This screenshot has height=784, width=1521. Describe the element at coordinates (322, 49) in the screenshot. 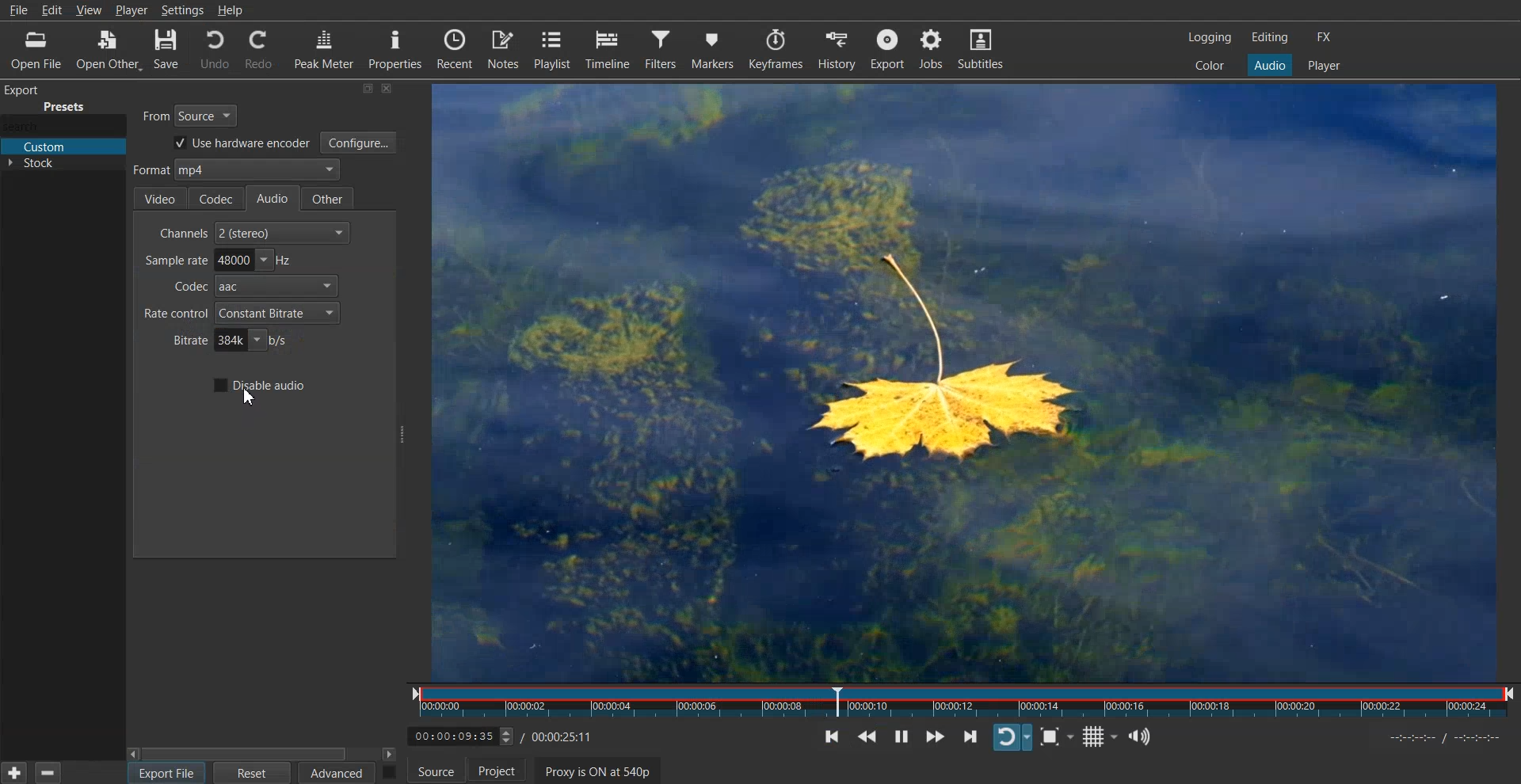

I see `Peak Meter` at that location.